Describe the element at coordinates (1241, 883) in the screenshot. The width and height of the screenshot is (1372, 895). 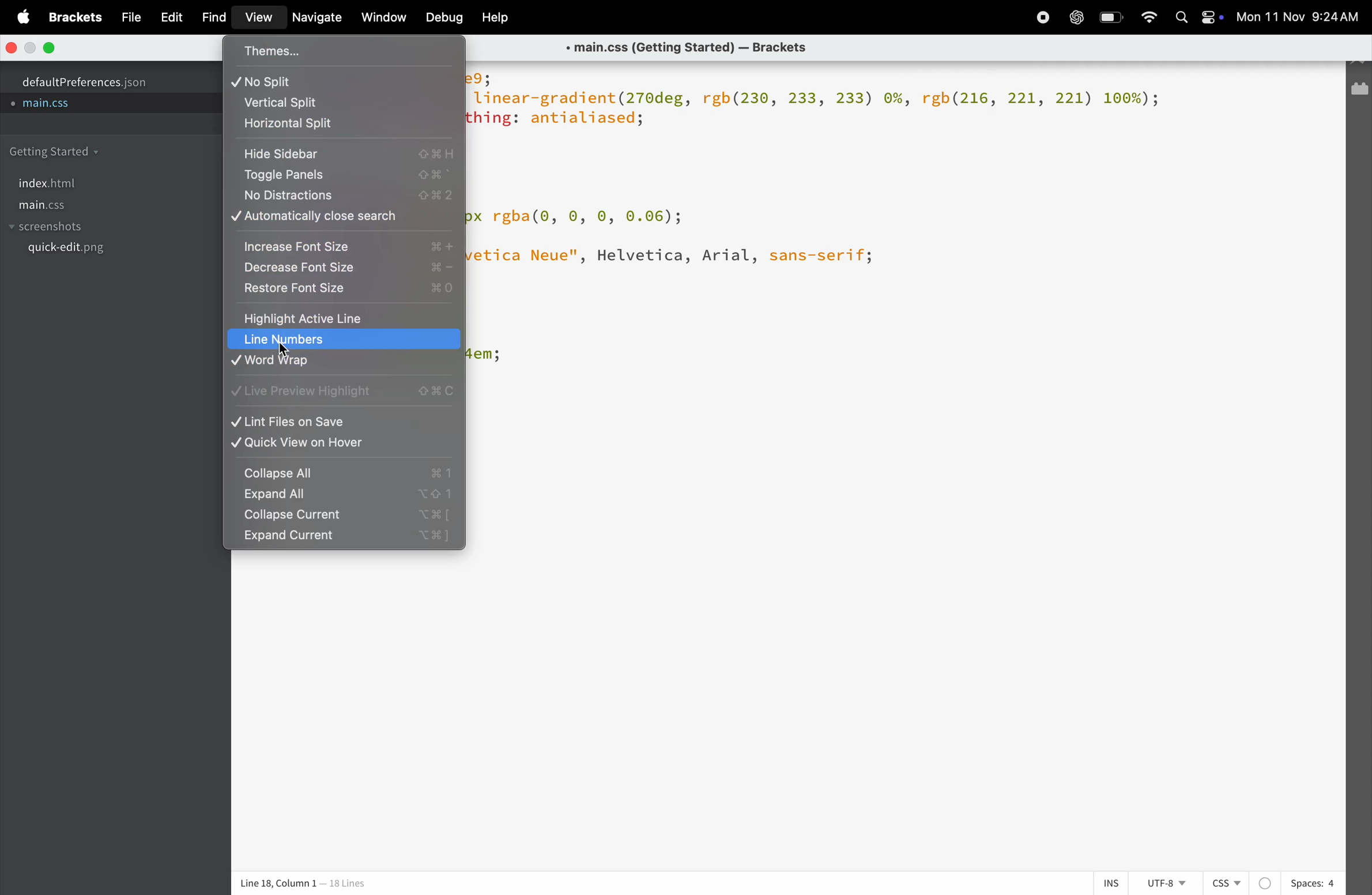
I see `css` at that location.